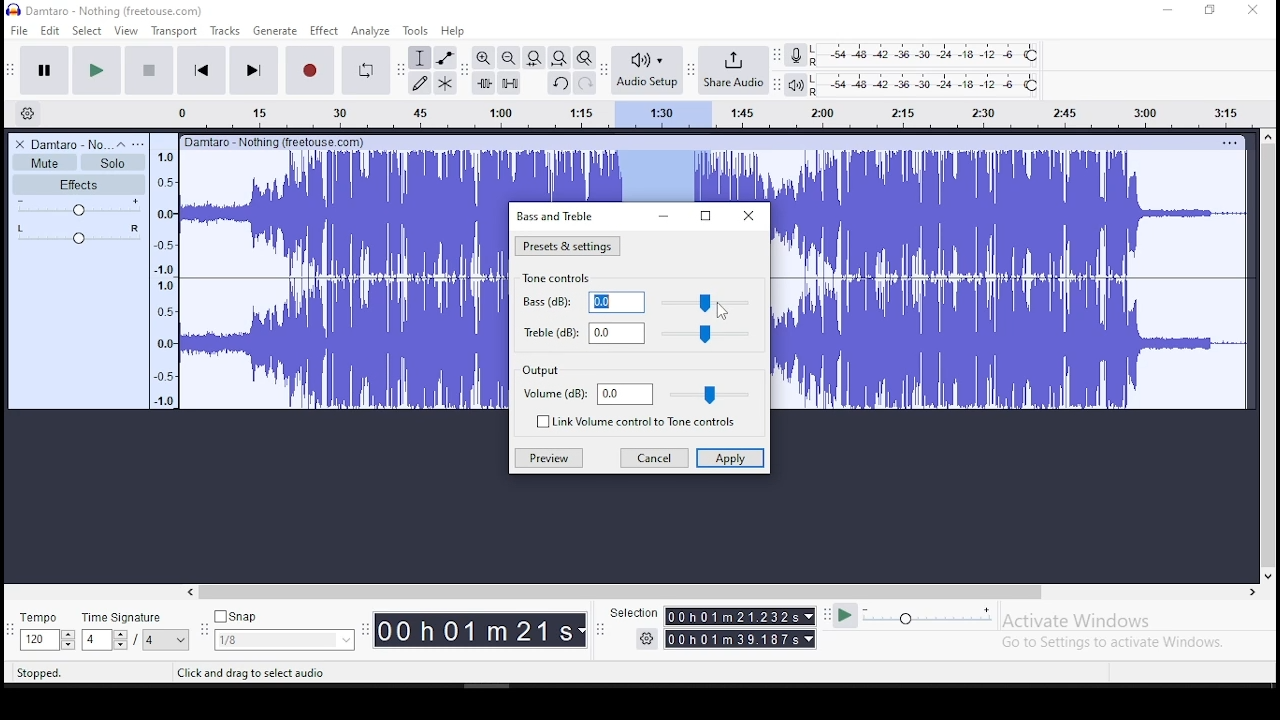 The image size is (1280, 720). What do you see at coordinates (371, 31) in the screenshot?
I see `analyze` at bounding box center [371, 31].